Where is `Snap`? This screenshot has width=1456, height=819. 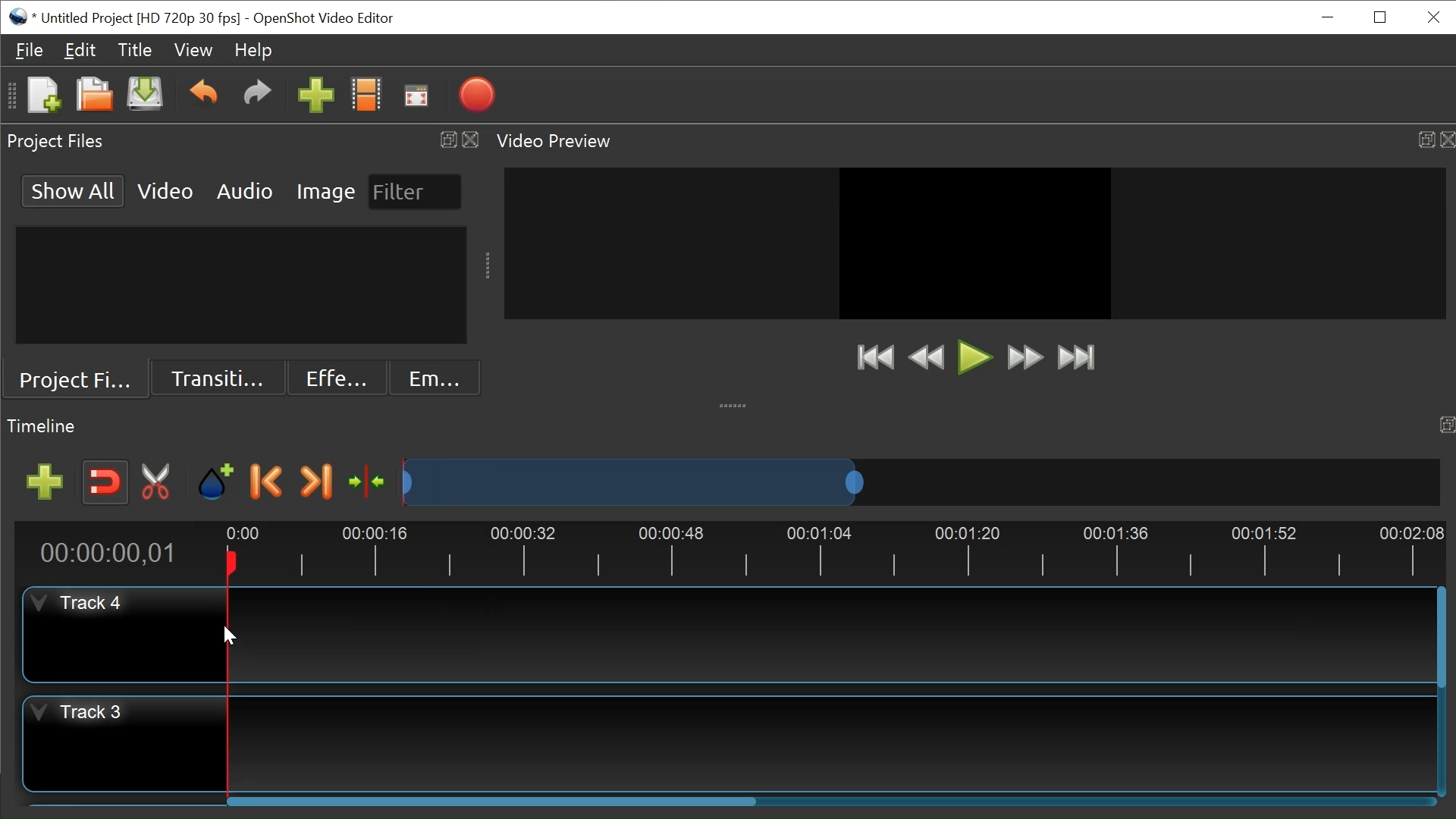 Snap is located at coordinates (106, 482).